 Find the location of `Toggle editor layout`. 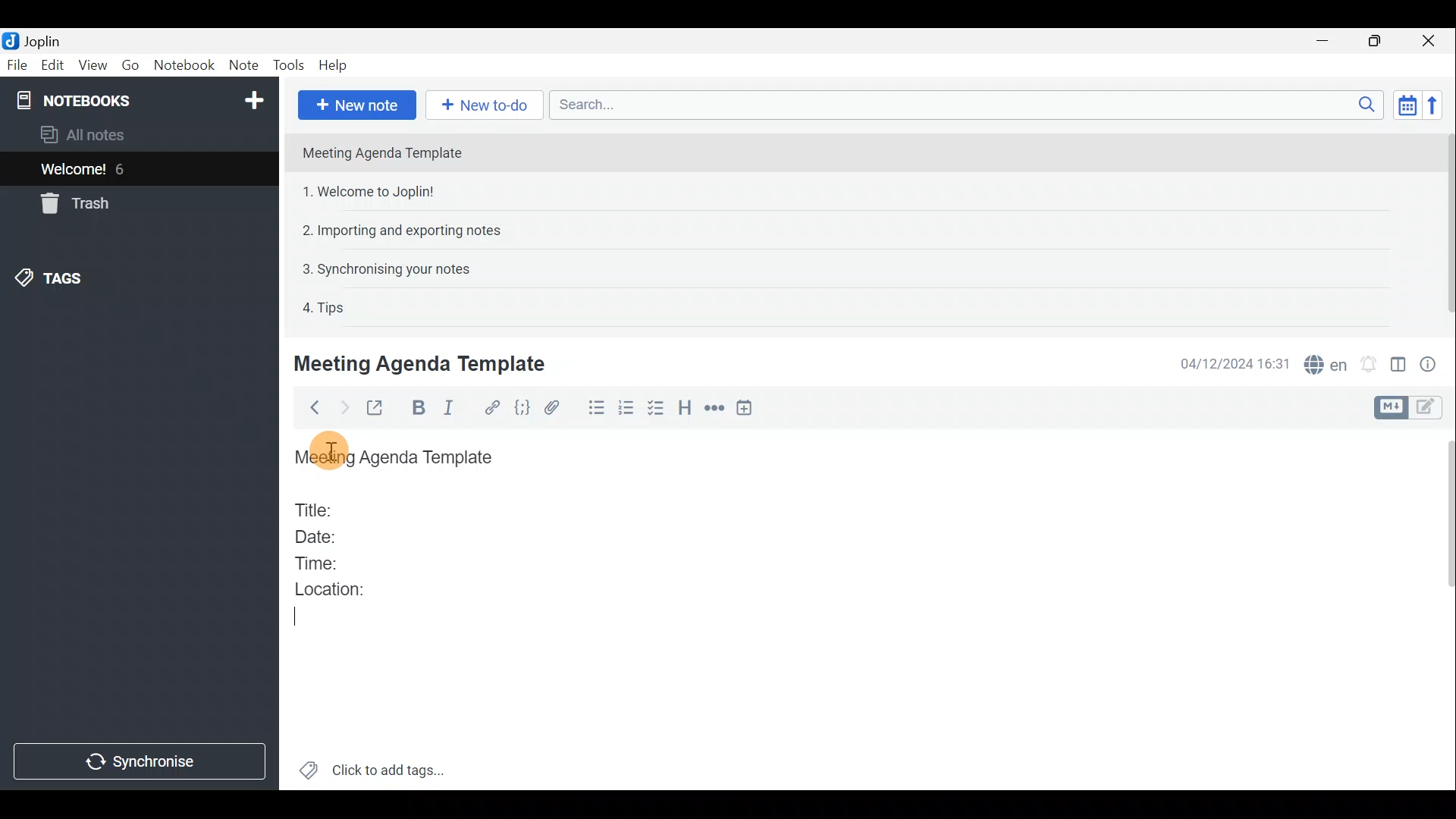

Toggle editor layout is located at coordinates (1399, 367).